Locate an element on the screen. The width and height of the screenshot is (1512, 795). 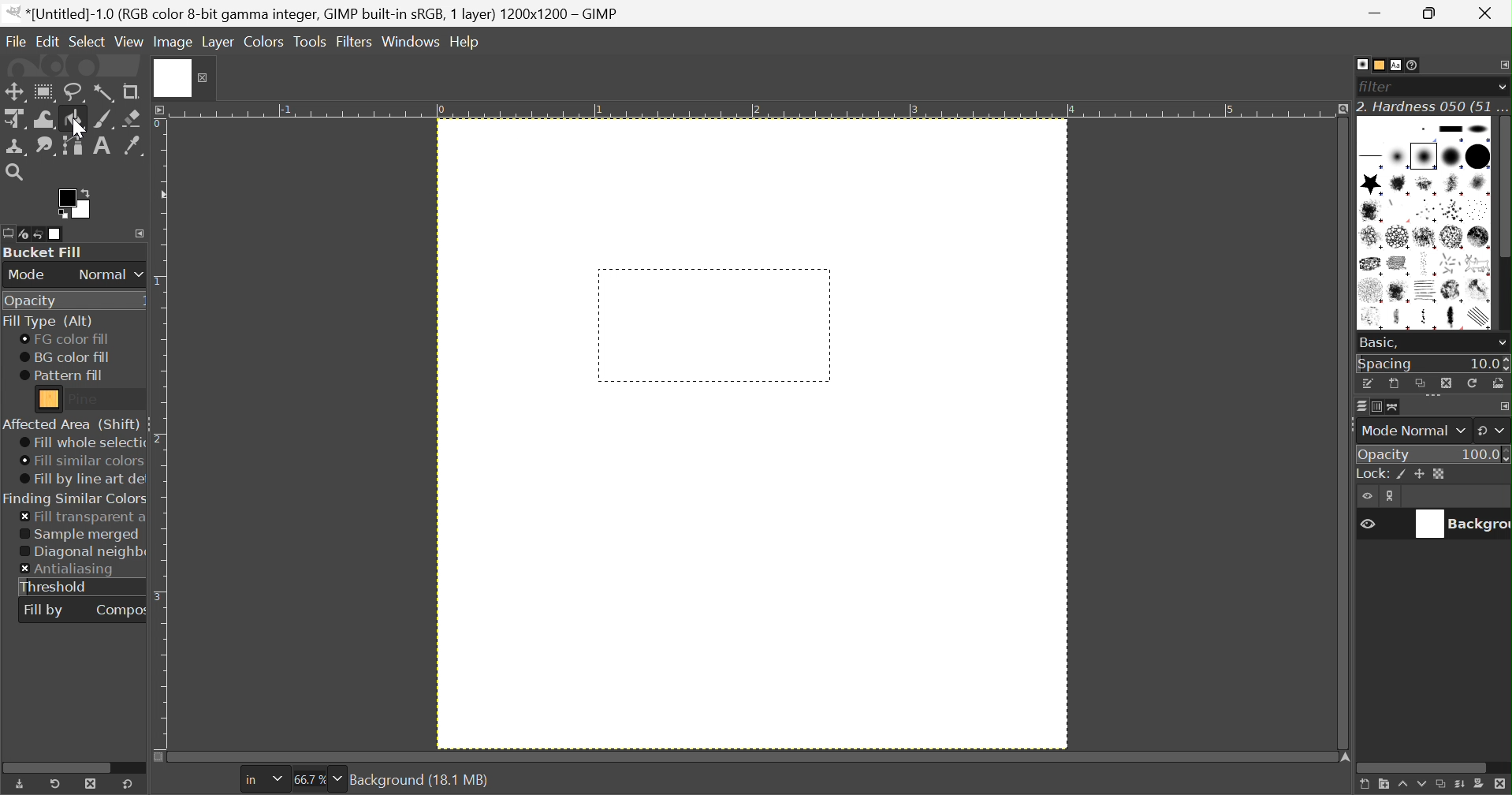
Create a duplicate of the layer and add it to the image is located at coordinates (1441, 786).